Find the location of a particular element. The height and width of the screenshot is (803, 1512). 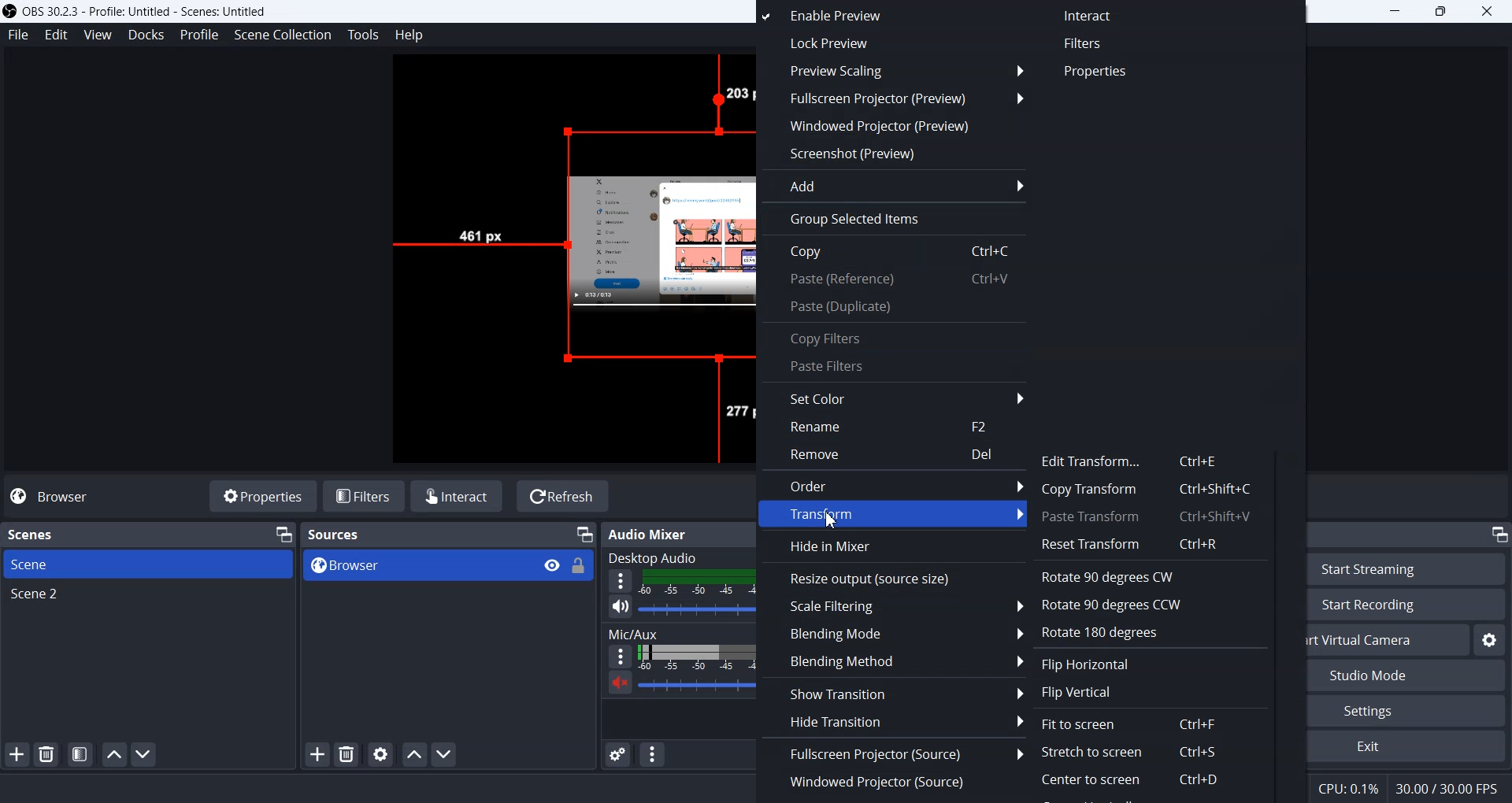

Sound level indicator is located at coordinates (696, 657).